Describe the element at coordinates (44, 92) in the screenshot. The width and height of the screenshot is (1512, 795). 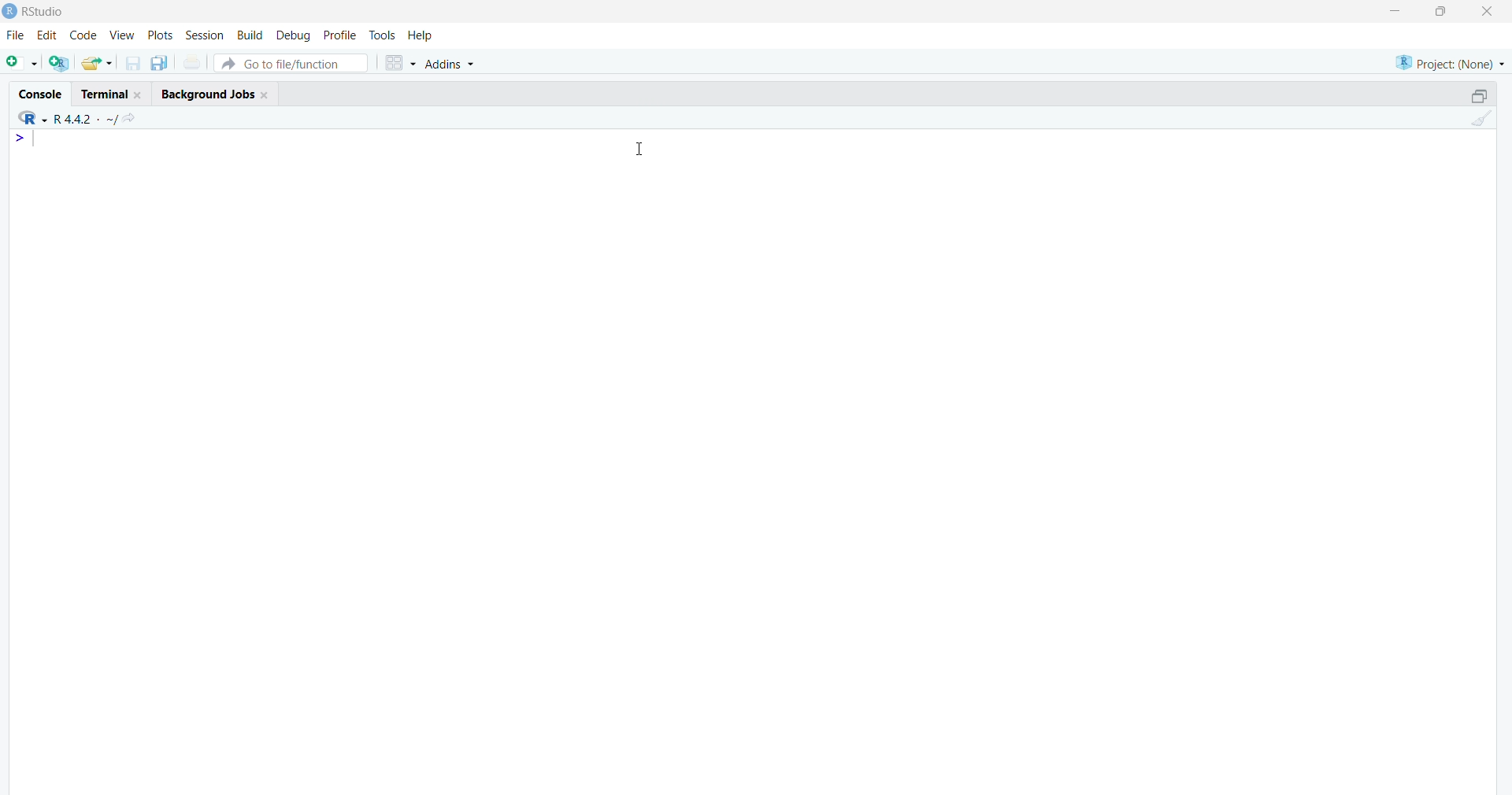
I see `Console` at that location.